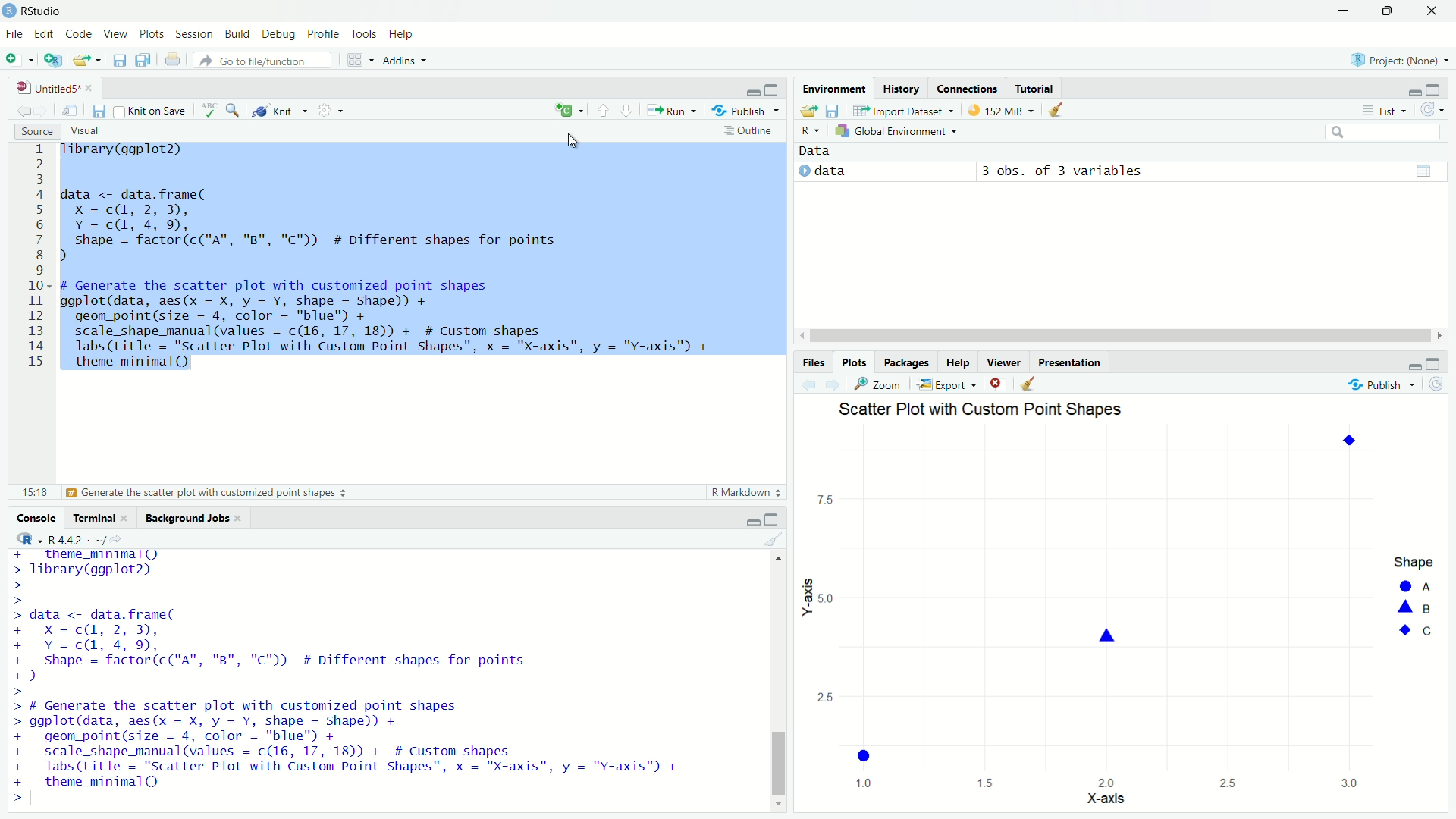 This screenshot has width=1456, height=819. Describe the element at coordinates (604, 110) in the screenshot. I see `Go to previous section/chunk` at that location.